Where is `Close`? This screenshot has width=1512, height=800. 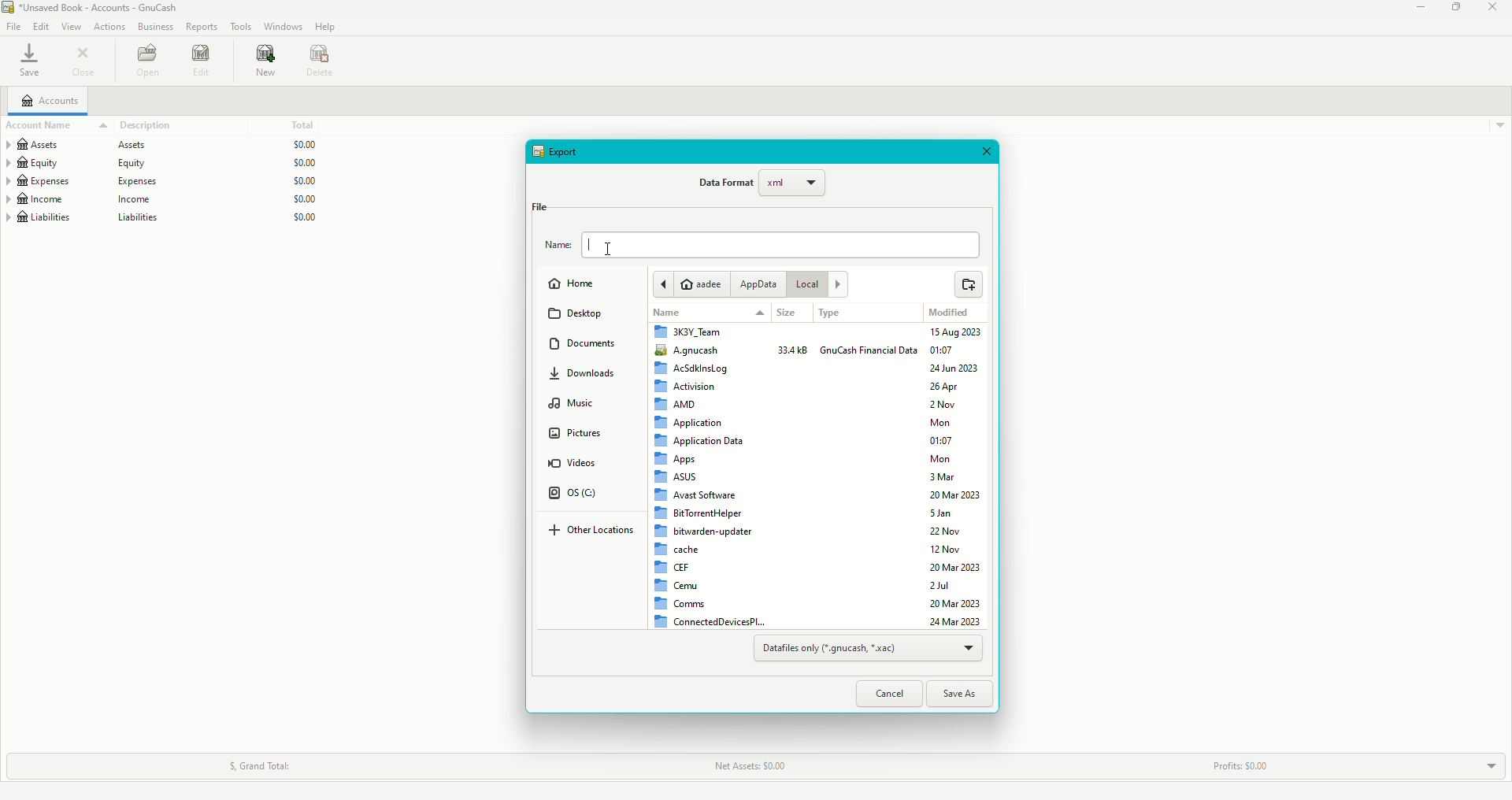
Close is located at coordinates (1495, 8).